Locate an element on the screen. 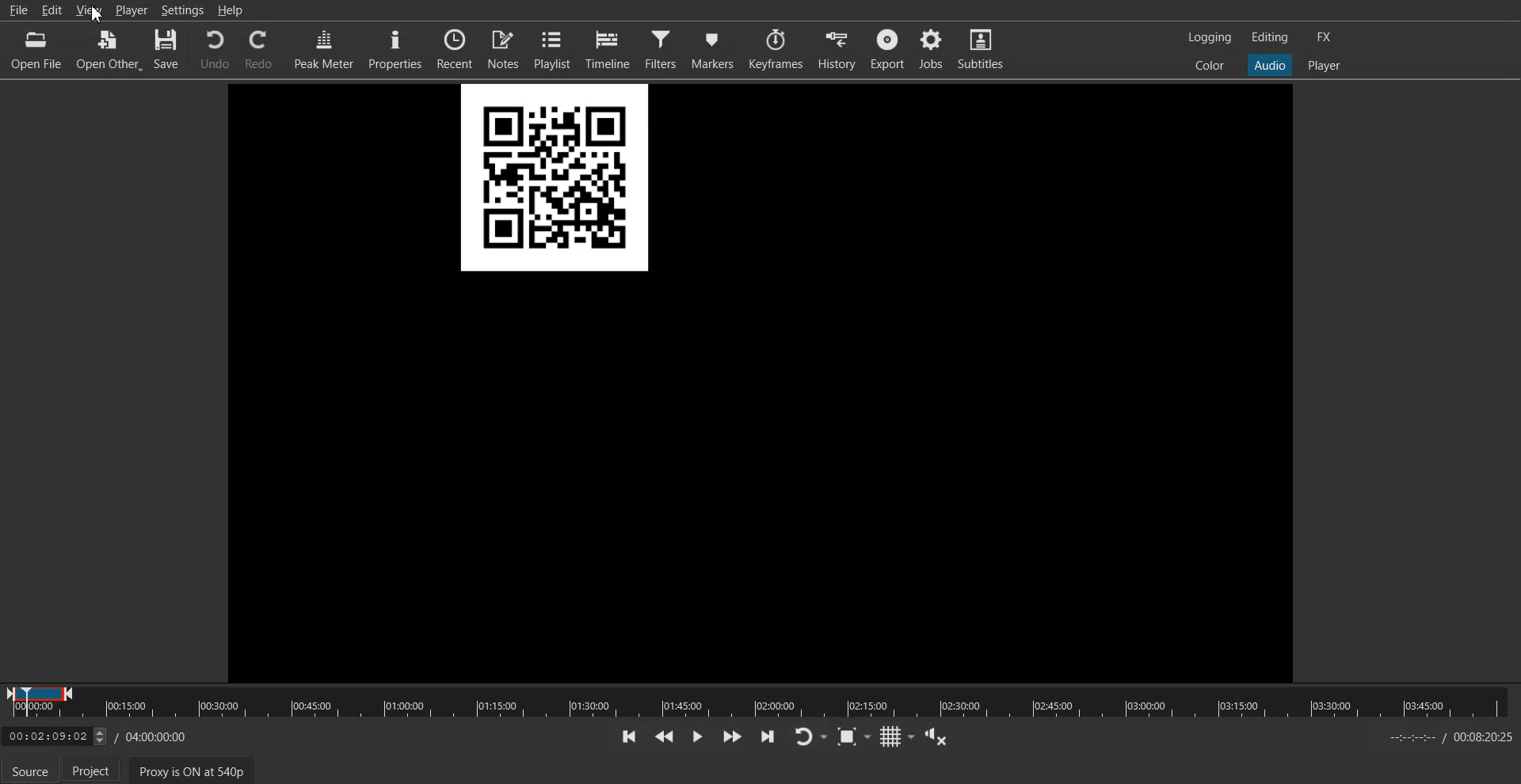 This screenshot has height=784, width=1521. History is located at coordinates (835, 49).